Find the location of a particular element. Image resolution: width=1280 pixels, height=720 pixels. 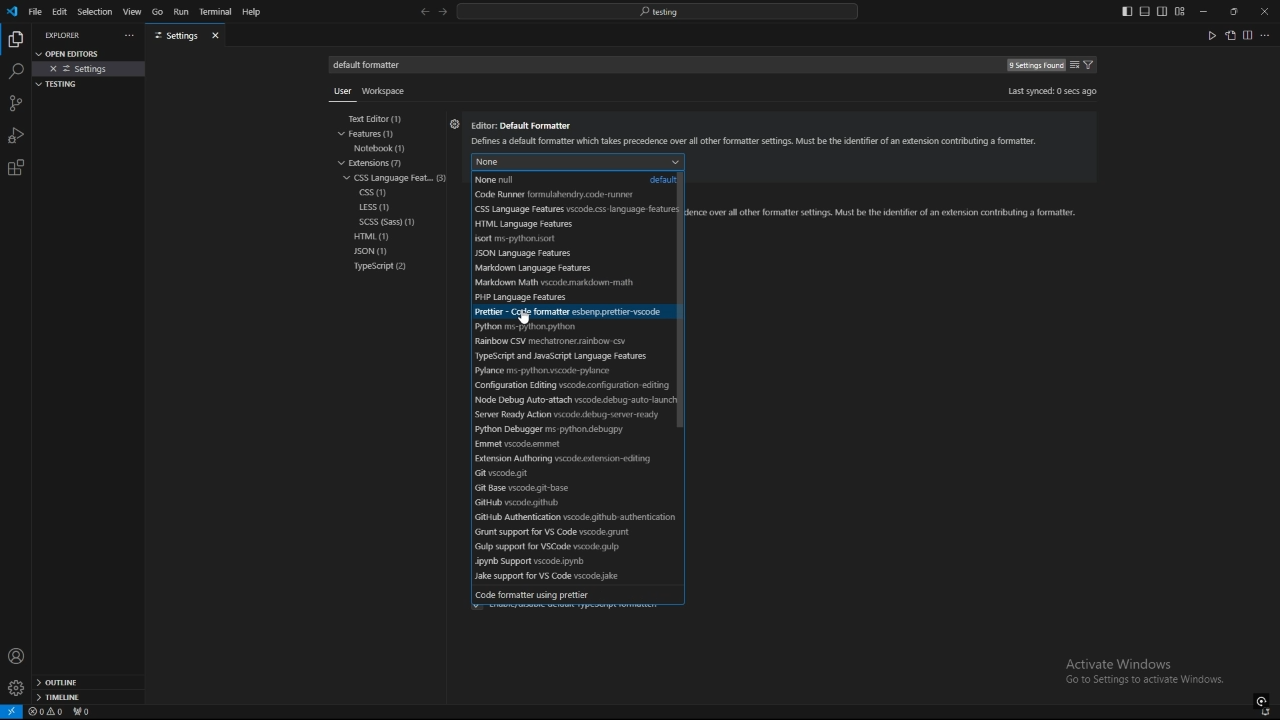

search bar is located at coordinates (657, 11).